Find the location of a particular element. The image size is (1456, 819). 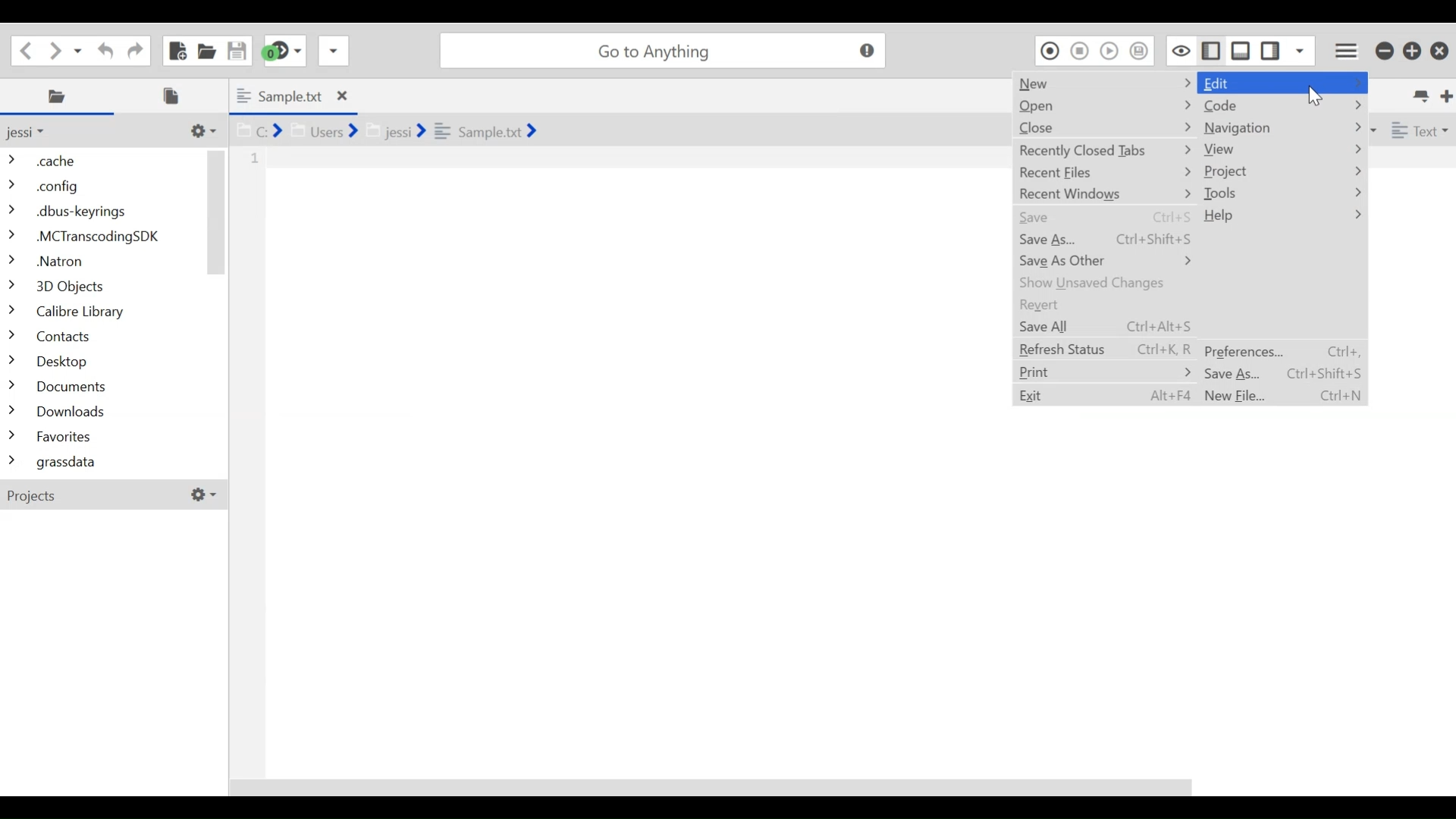

Save As is located at coordinates (1281, 373).